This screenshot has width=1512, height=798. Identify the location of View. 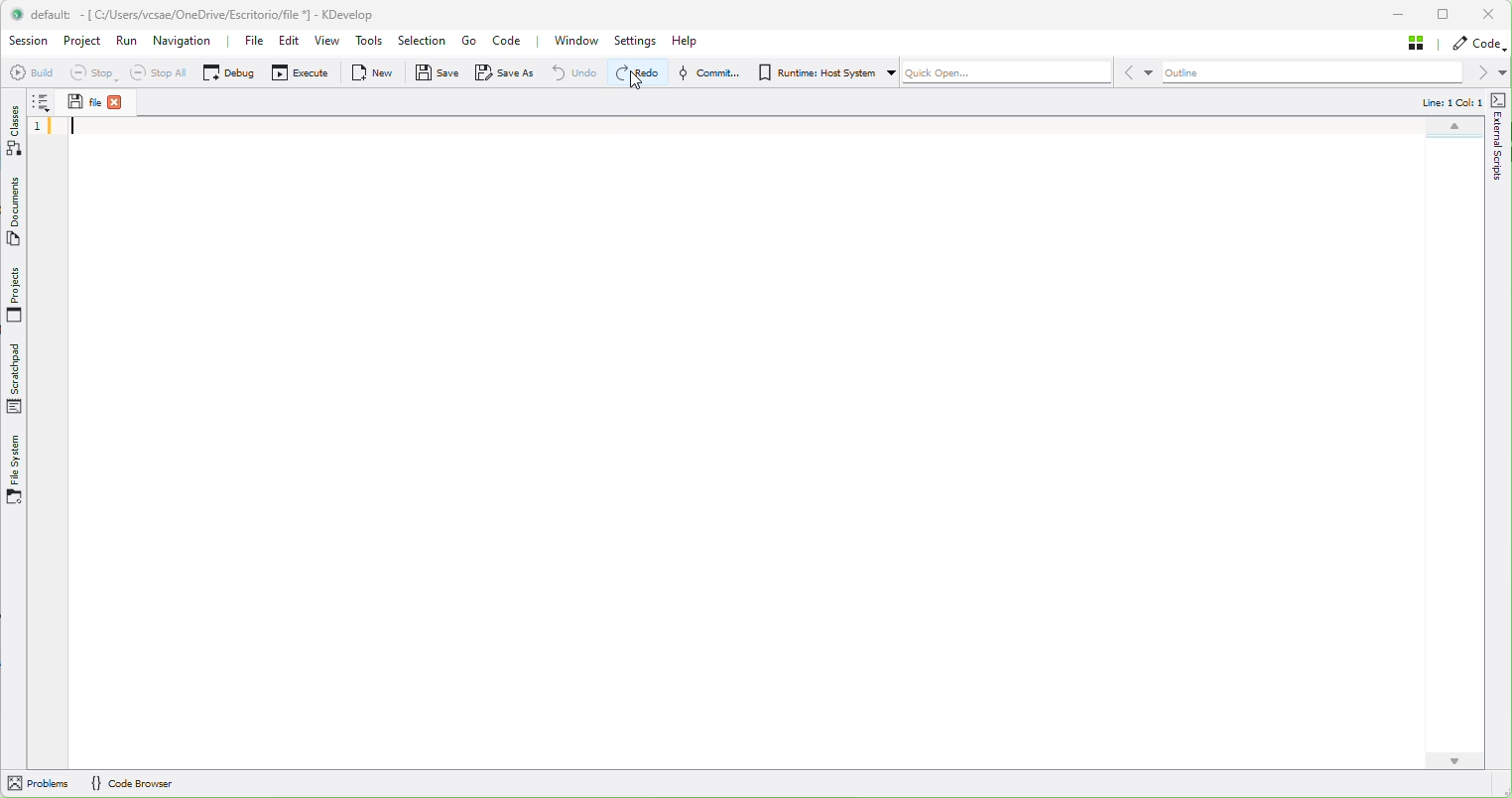
(328, 40).